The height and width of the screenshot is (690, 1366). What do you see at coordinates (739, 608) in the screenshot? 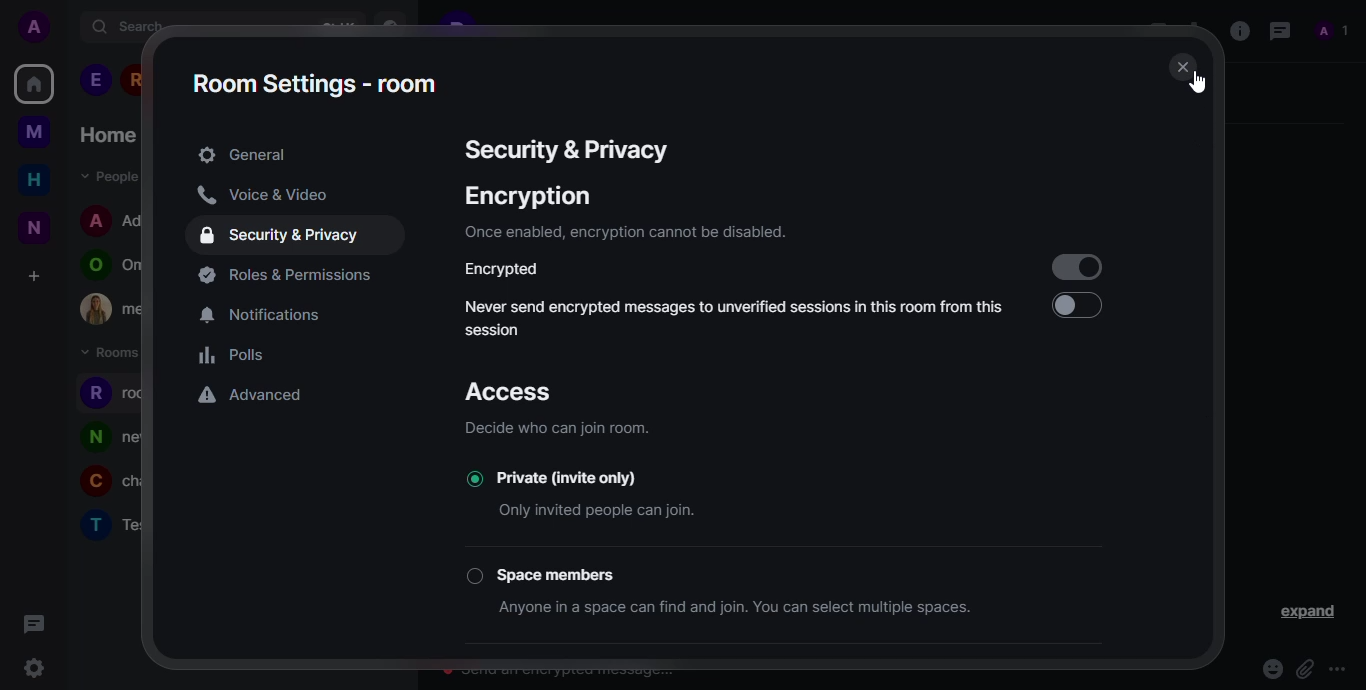
I see `Anyone in a space can find and join. You can select multiple spaces.` at bounding box center [739, 608].